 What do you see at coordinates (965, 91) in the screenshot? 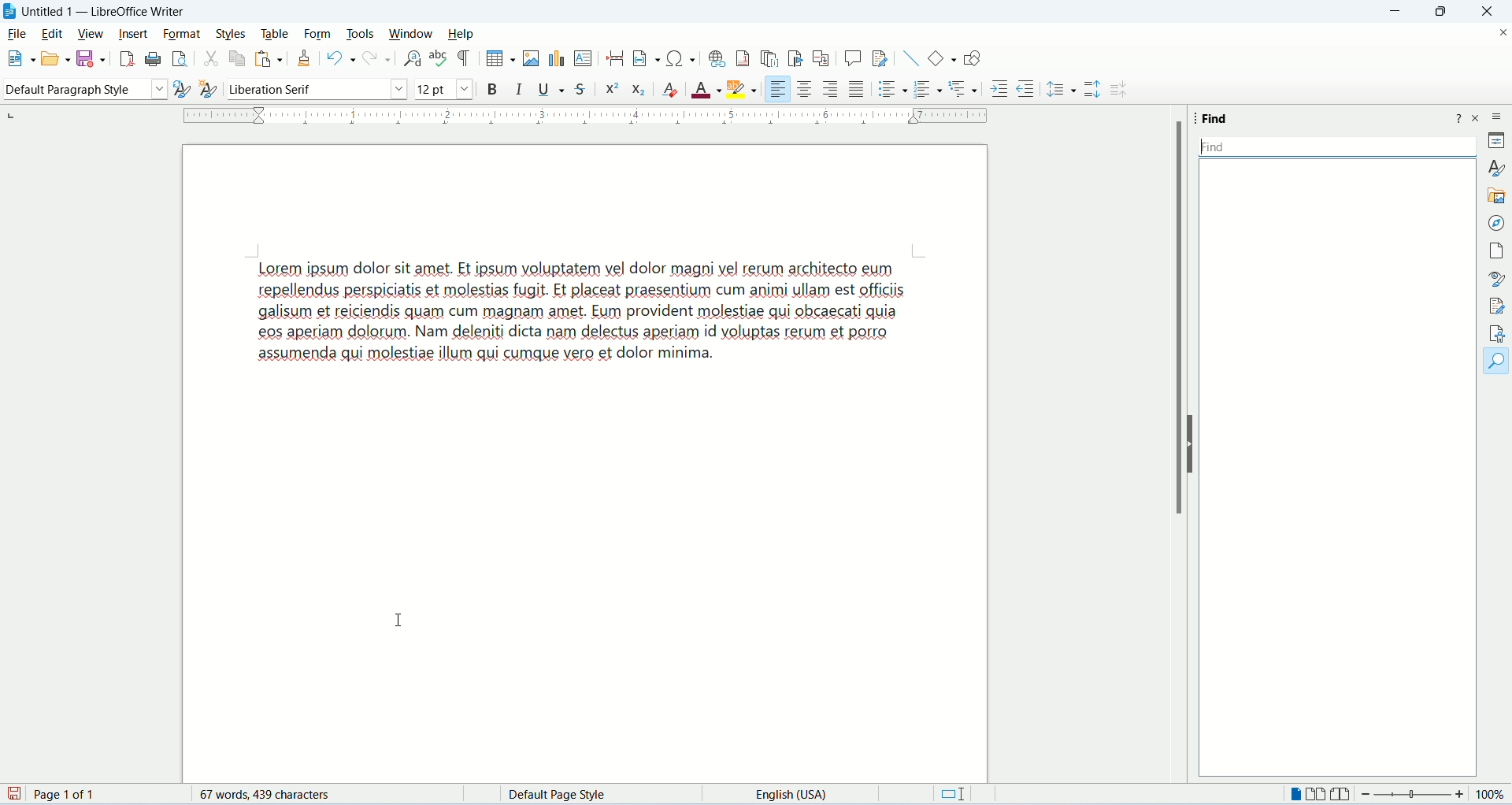
I see `format outline` at bounding box center [965, 91].